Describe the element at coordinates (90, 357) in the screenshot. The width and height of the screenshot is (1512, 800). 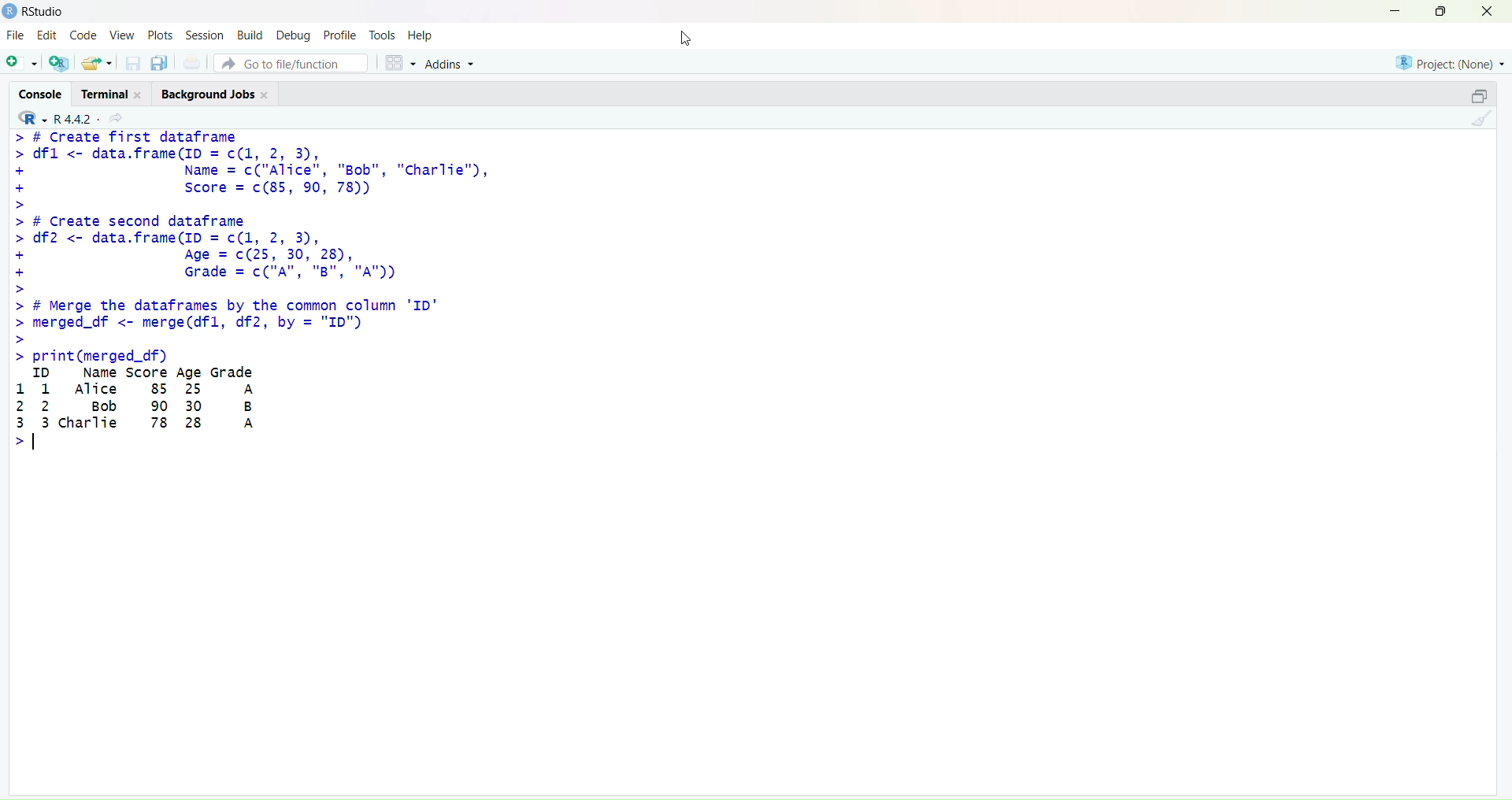
I see ` print(merged_df)` at that location.